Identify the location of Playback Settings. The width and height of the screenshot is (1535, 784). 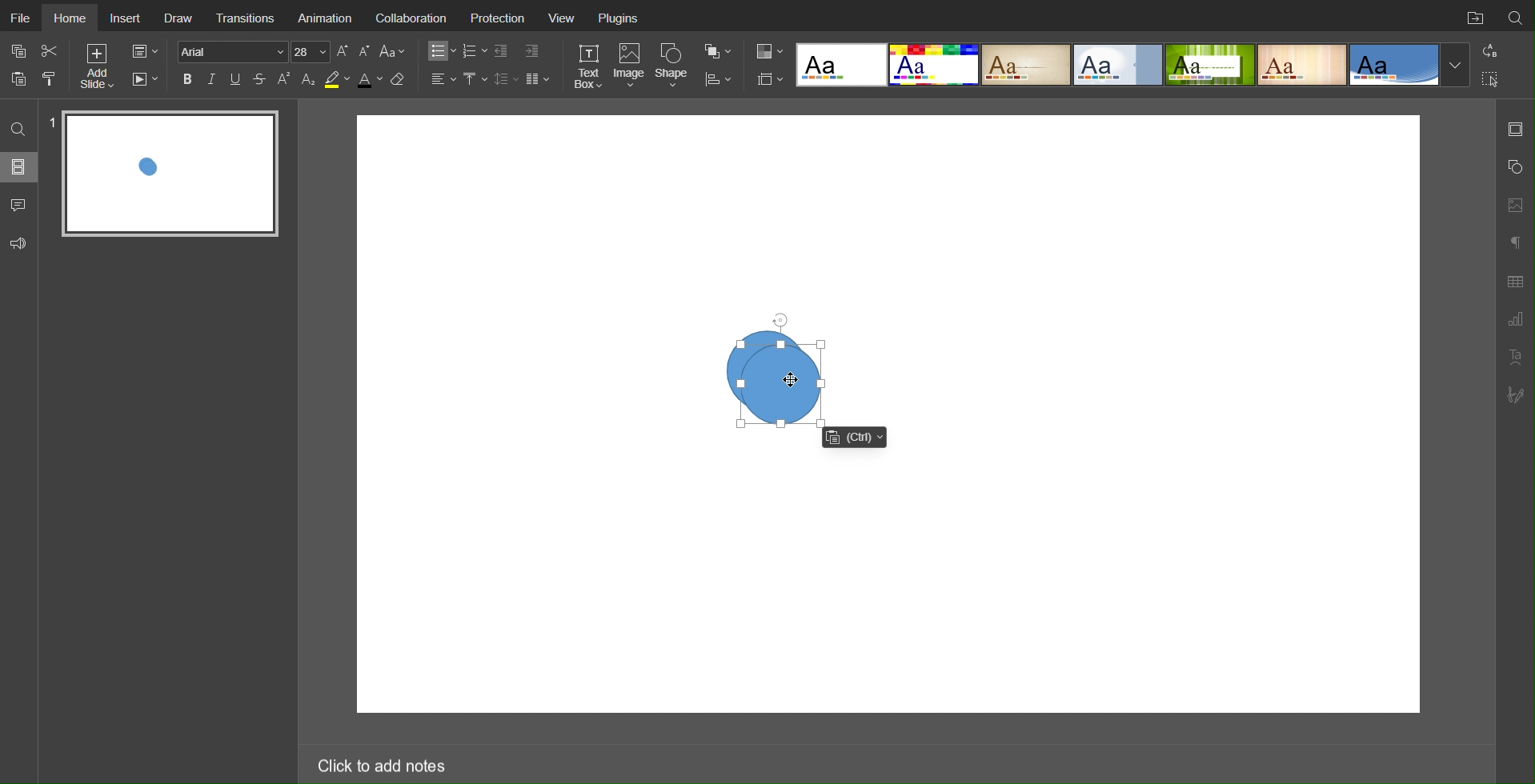
(145, 79).